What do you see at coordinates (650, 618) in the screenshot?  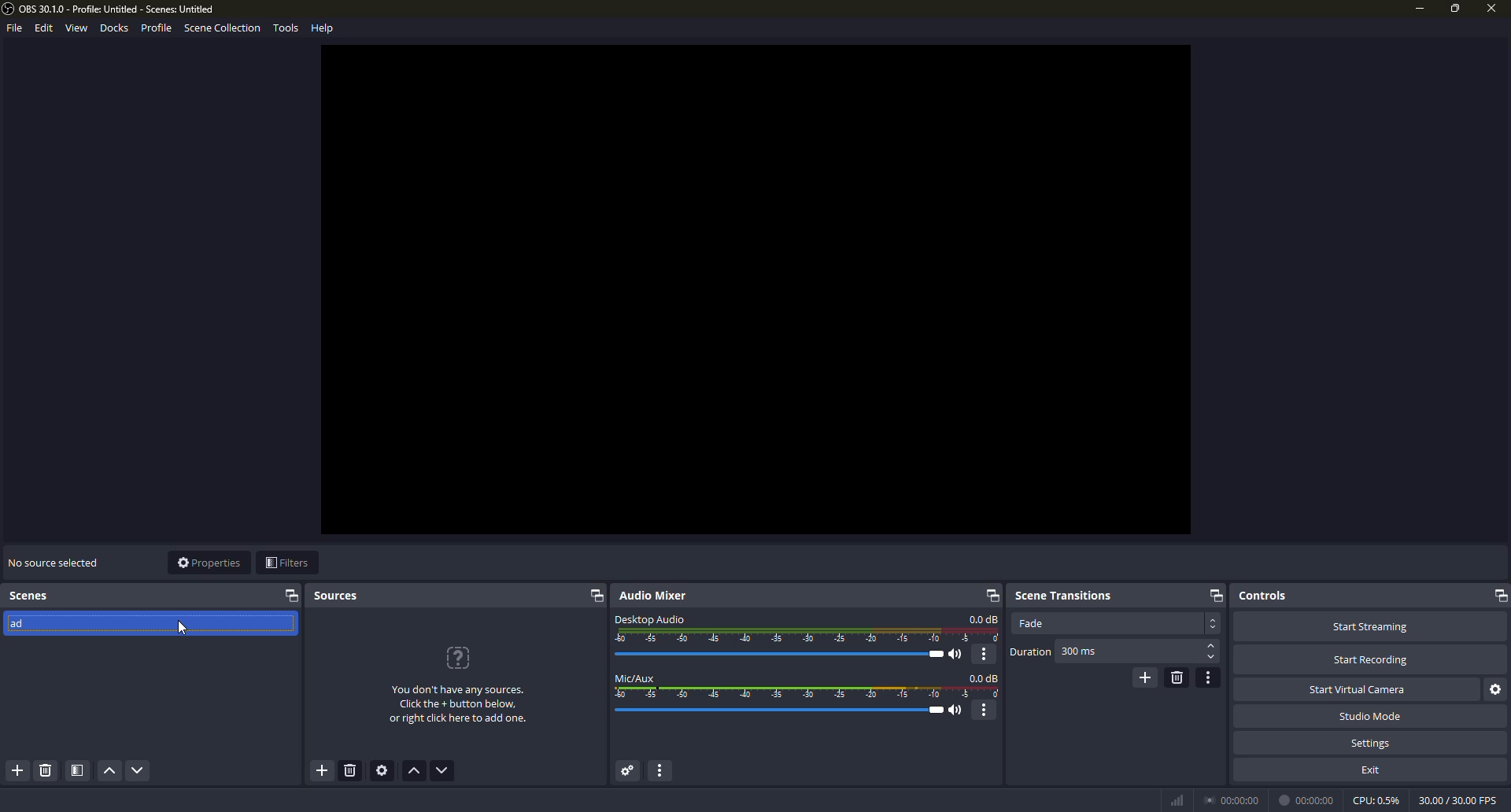 I see `desktop audio` at bounding box center [650, 618].